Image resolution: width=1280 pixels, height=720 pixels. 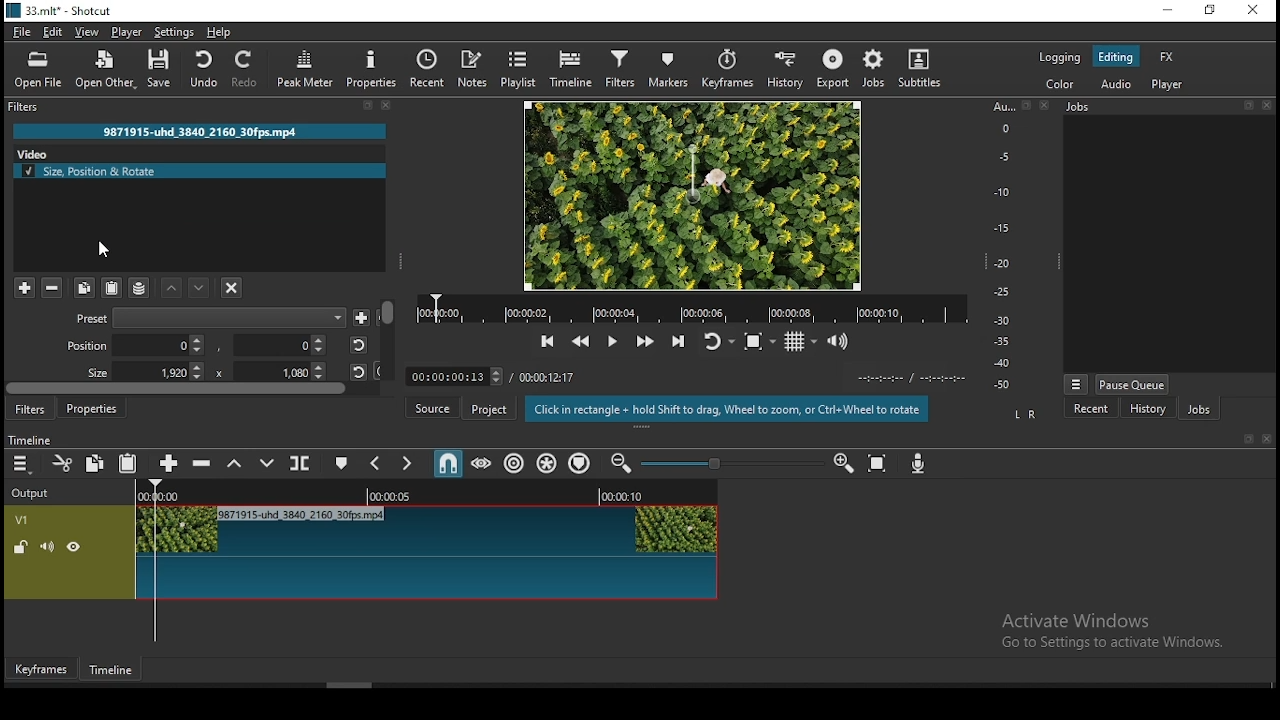 I want to click on create/edit marker, so click(x=344, y=465).